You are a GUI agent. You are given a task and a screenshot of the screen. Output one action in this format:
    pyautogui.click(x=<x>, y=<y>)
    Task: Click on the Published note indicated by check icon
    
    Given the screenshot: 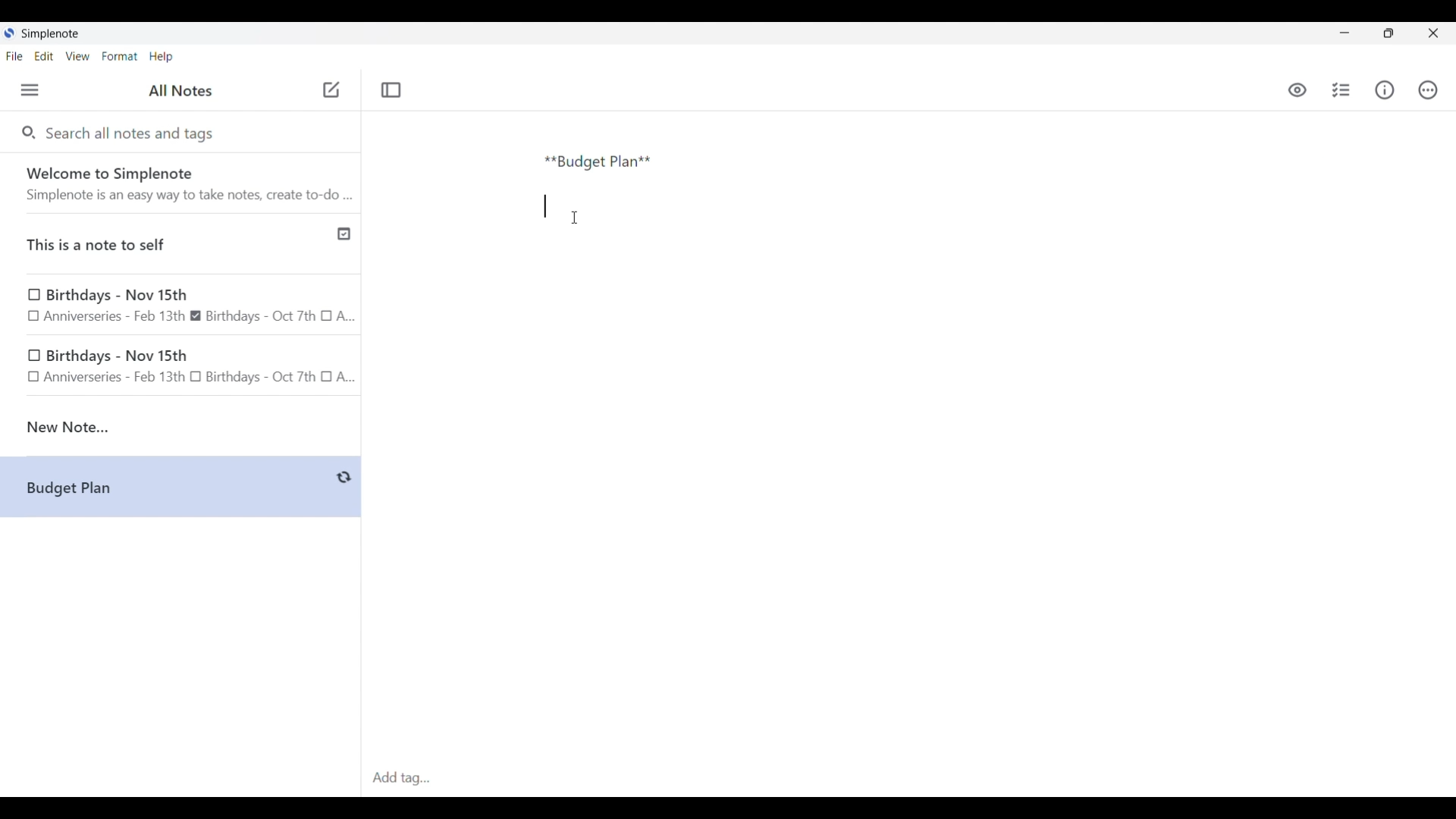 What is the action you would take?
    pyautogui.click(x=182, y=244)
    